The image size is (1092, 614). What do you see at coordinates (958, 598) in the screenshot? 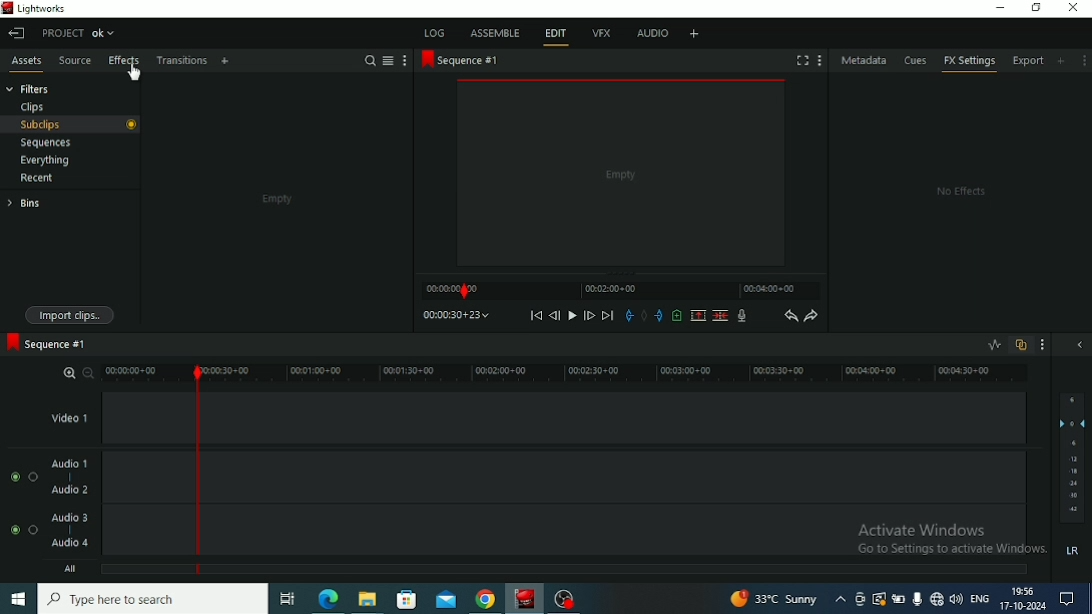
I see `speakers` at bounding box center [958, 598].